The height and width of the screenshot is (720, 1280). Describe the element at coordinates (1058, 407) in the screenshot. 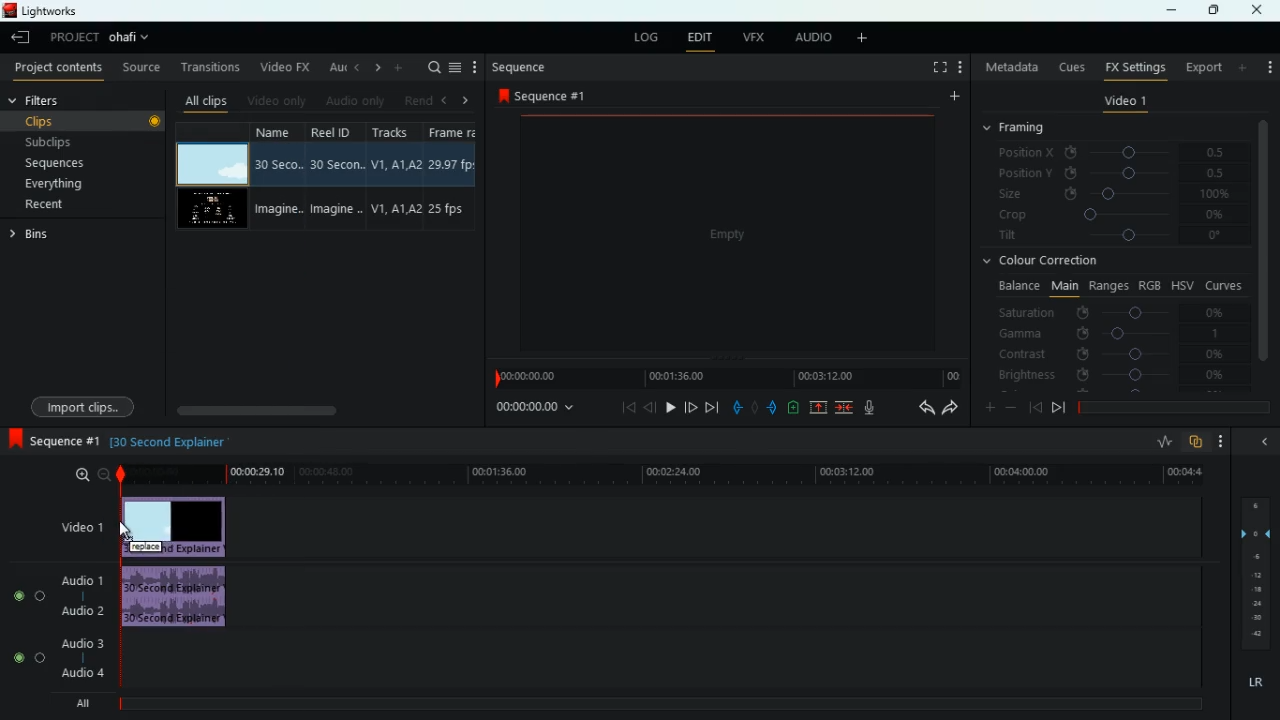

I see `end` at that location.